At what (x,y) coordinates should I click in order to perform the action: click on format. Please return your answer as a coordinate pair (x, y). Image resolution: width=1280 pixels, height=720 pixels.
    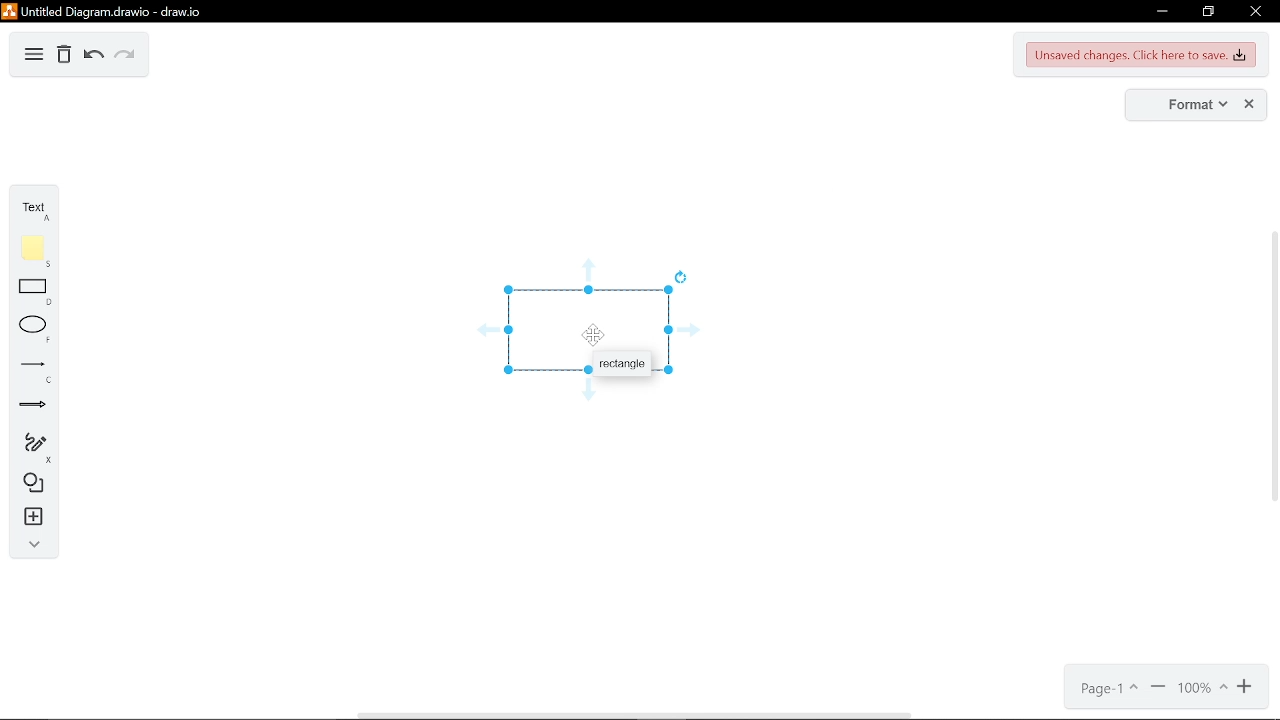
    Looking at the image, I should click on (1196, 105).